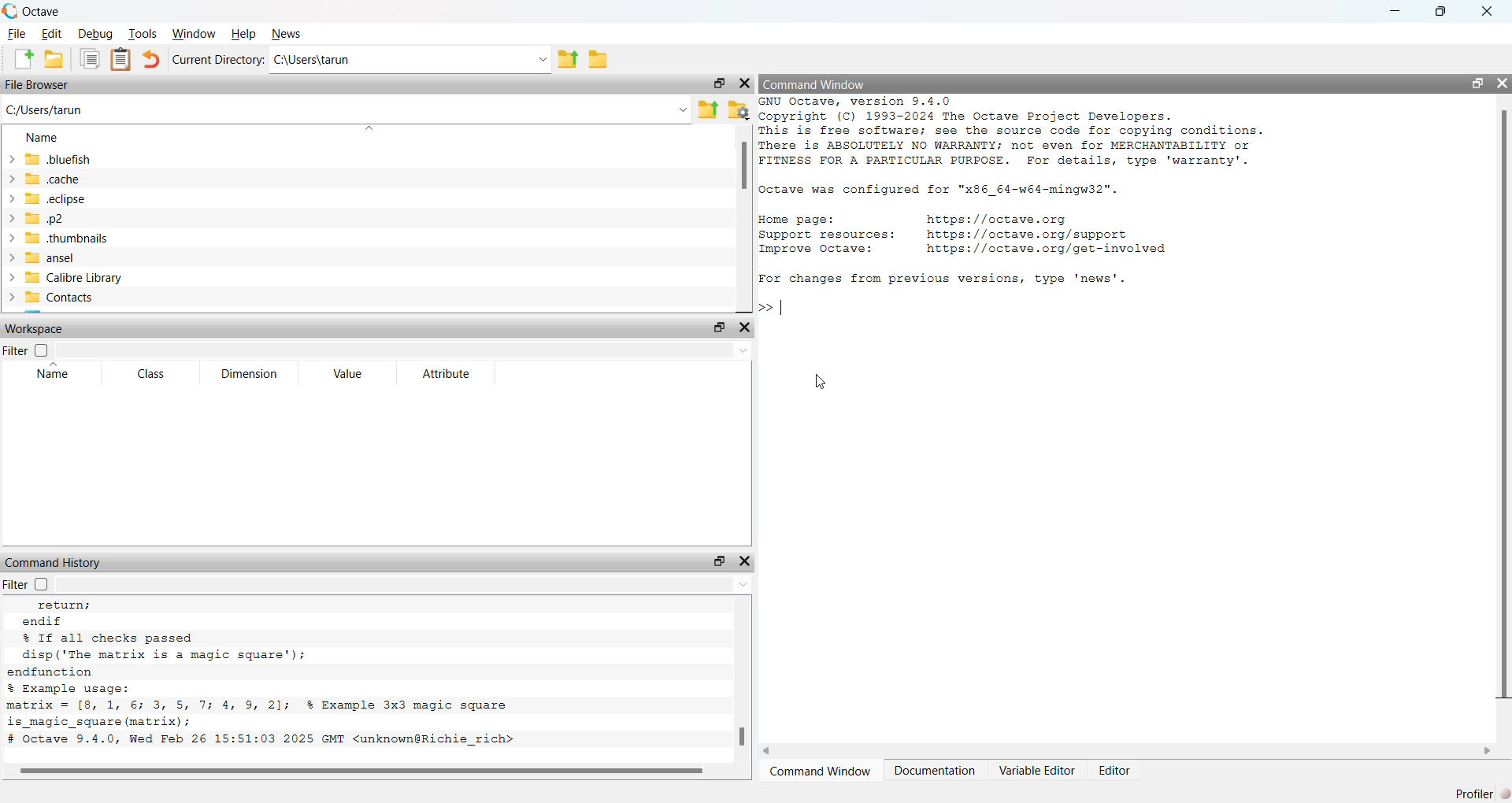 The height and width of the screenshot is (803, 1512). Describe the element at coordinates (1488, 752) in the screenshot. I see `scroll right` at that location.